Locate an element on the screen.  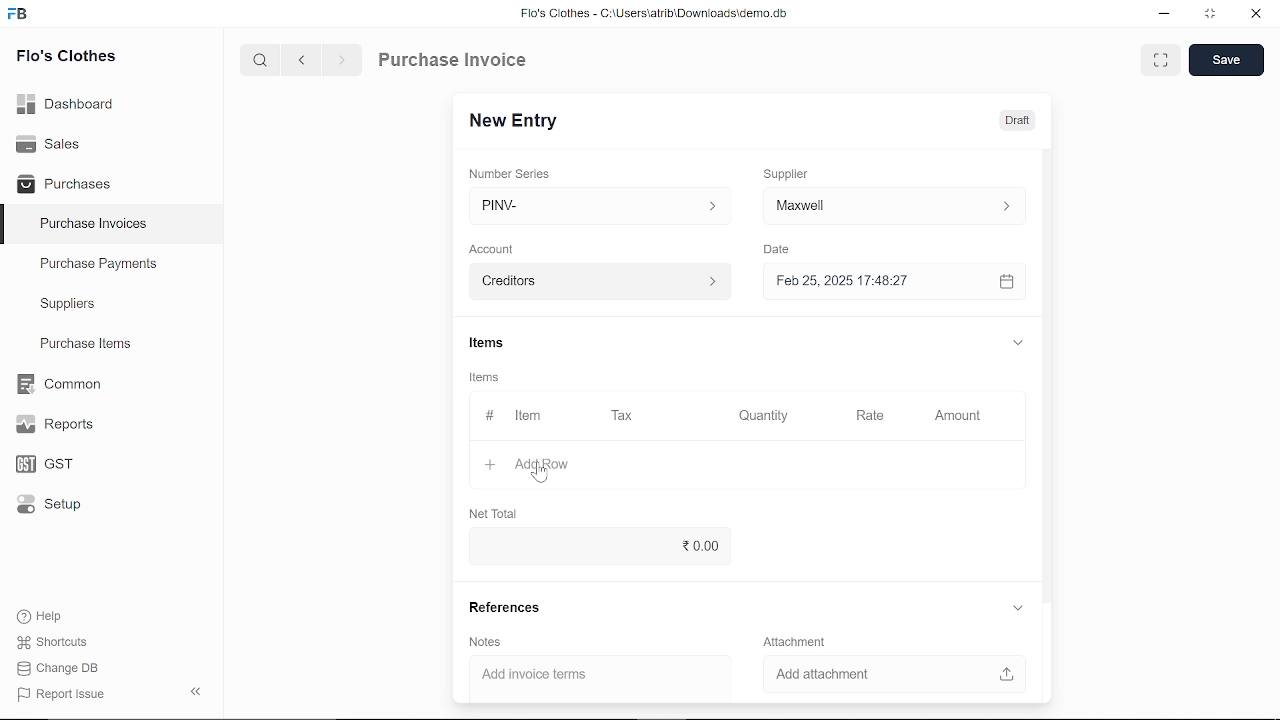
References. is located at coordinates (510, 608).